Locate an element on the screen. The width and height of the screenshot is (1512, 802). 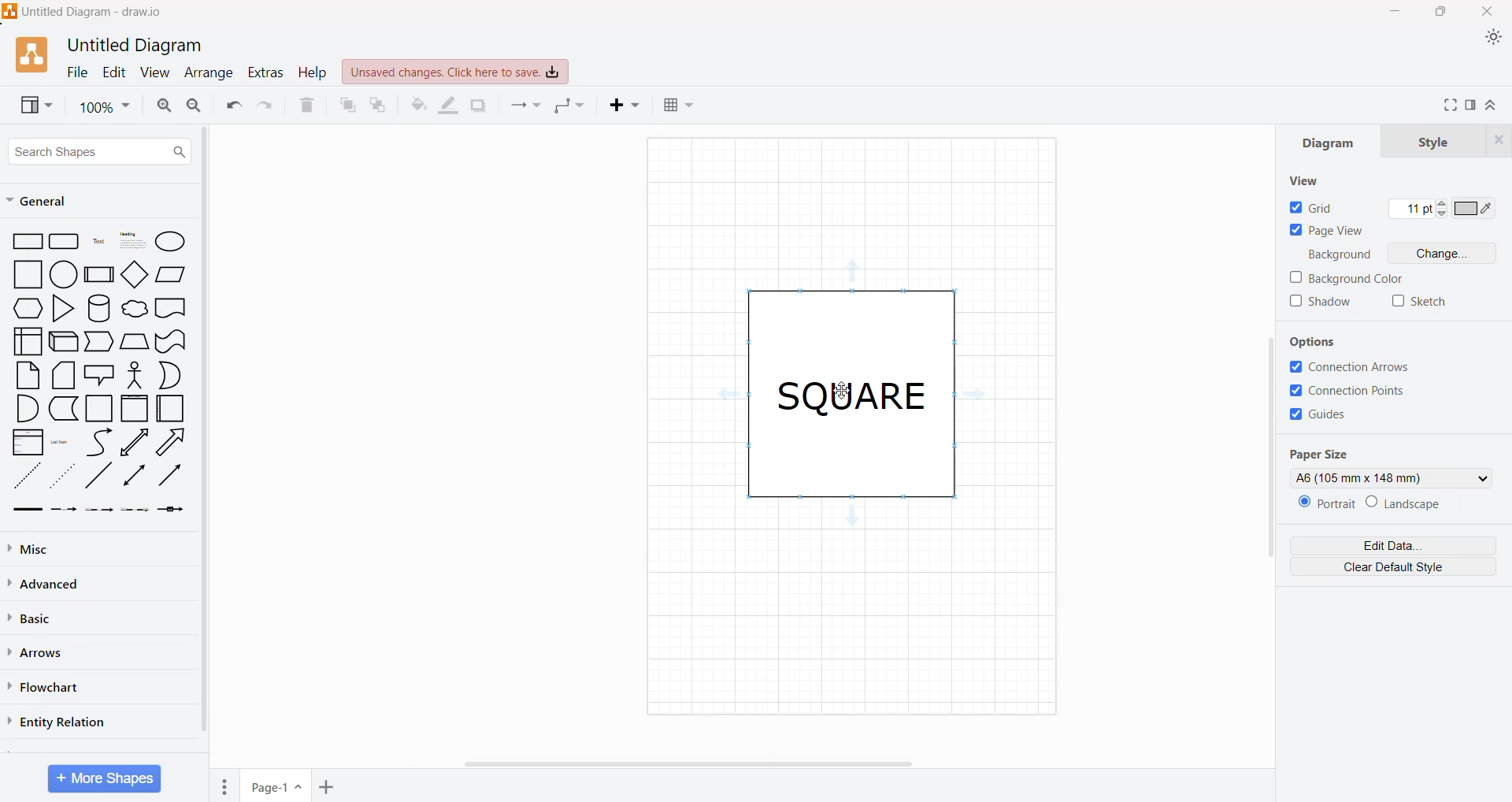
Fullscreen is located at coordinates (1449, 106).